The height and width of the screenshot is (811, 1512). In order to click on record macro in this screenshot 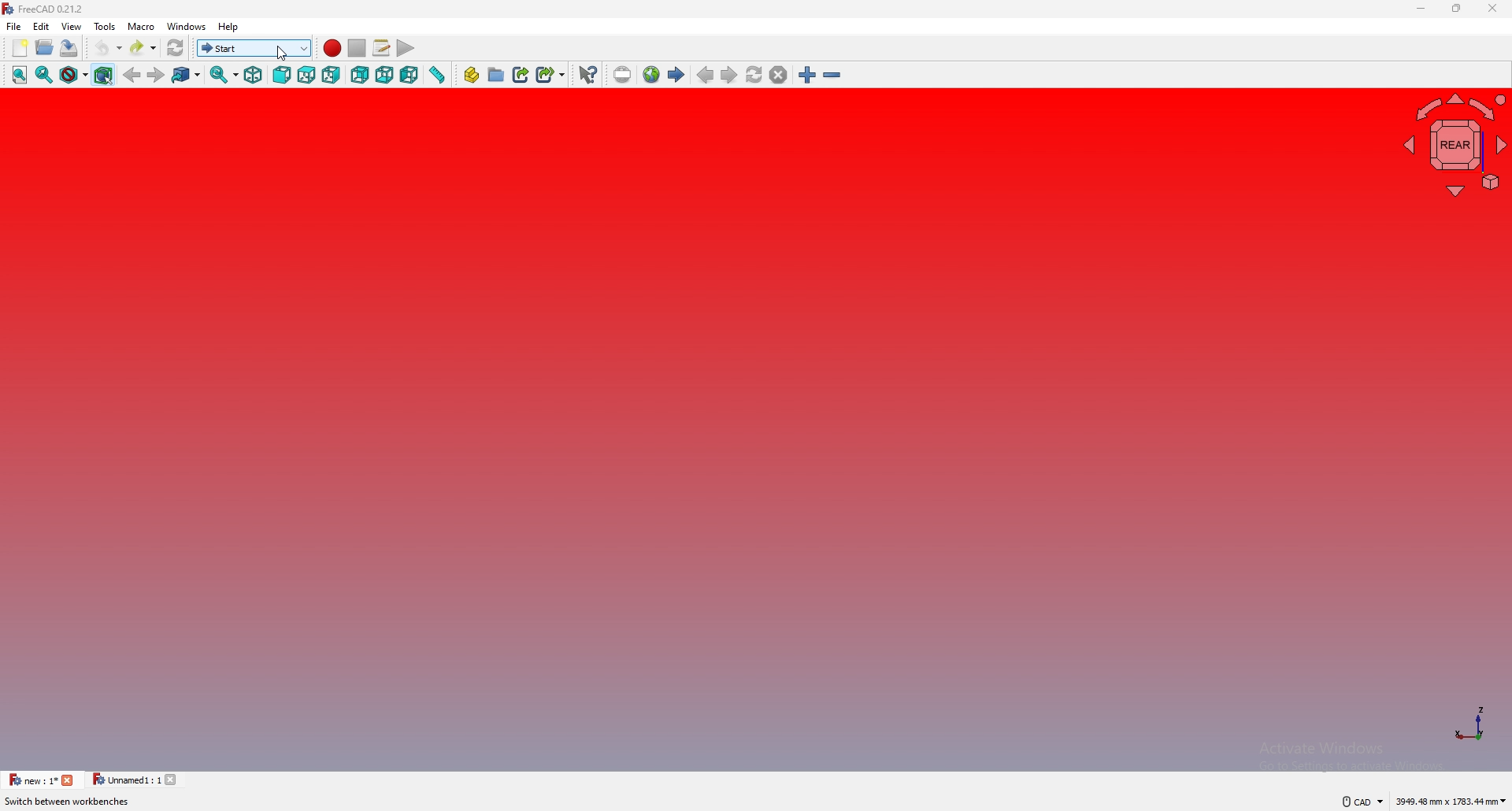, I will do `click(332, 49)`.